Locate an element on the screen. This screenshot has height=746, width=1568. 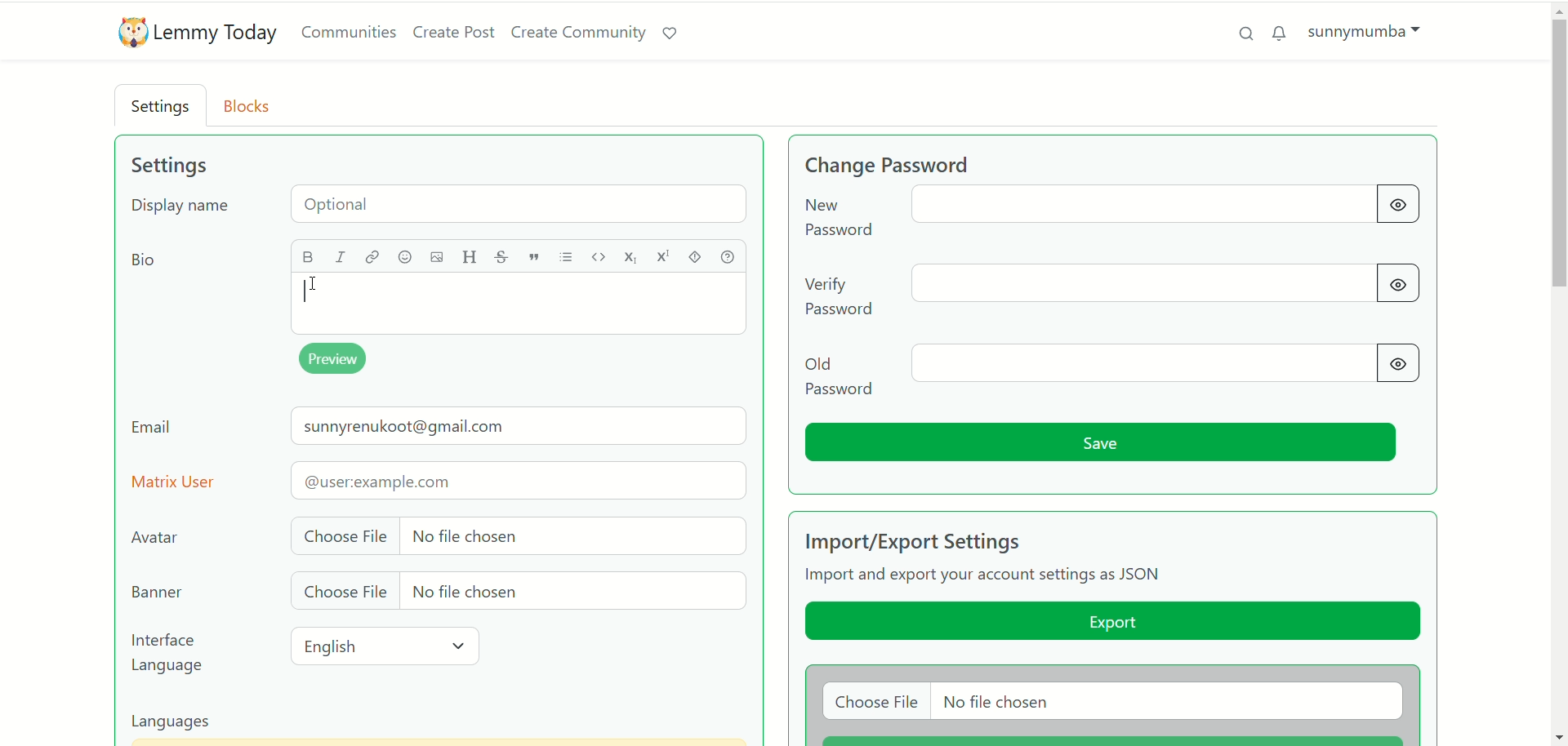
spoiler is located at coordinates (697, 256).